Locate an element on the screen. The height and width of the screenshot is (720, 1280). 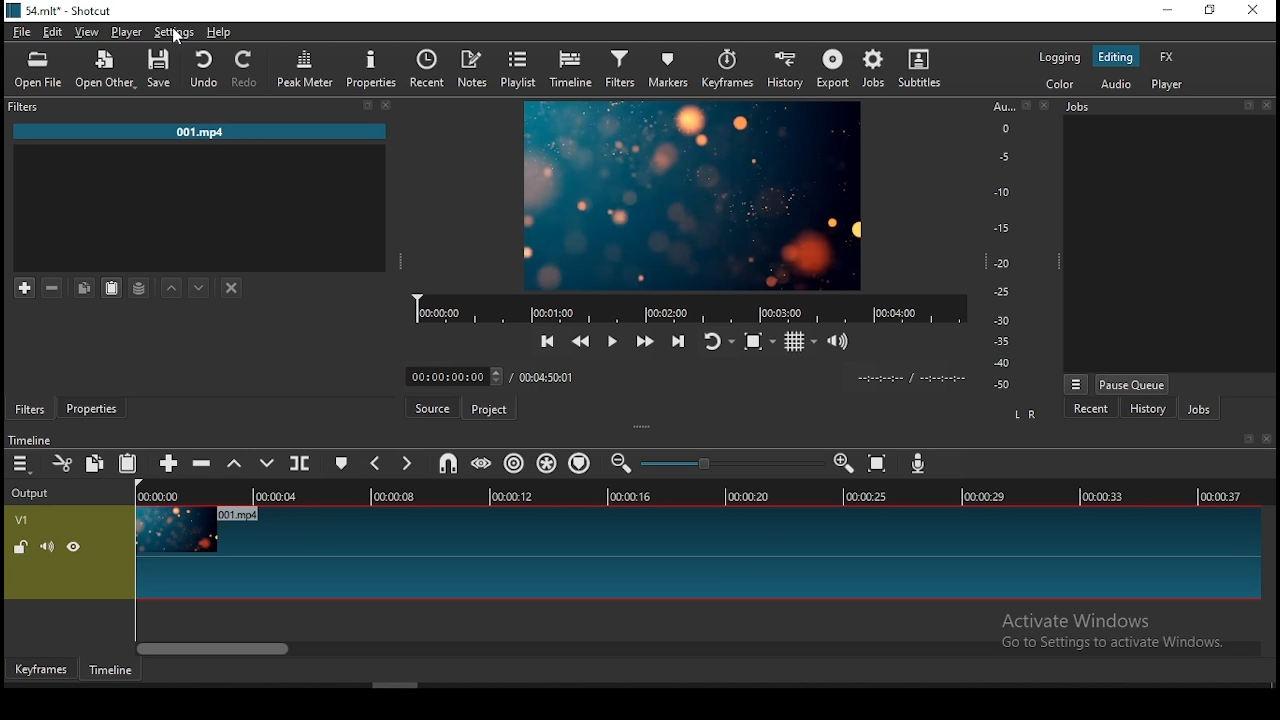
001.mp4 is located at coordinates (200, 133).